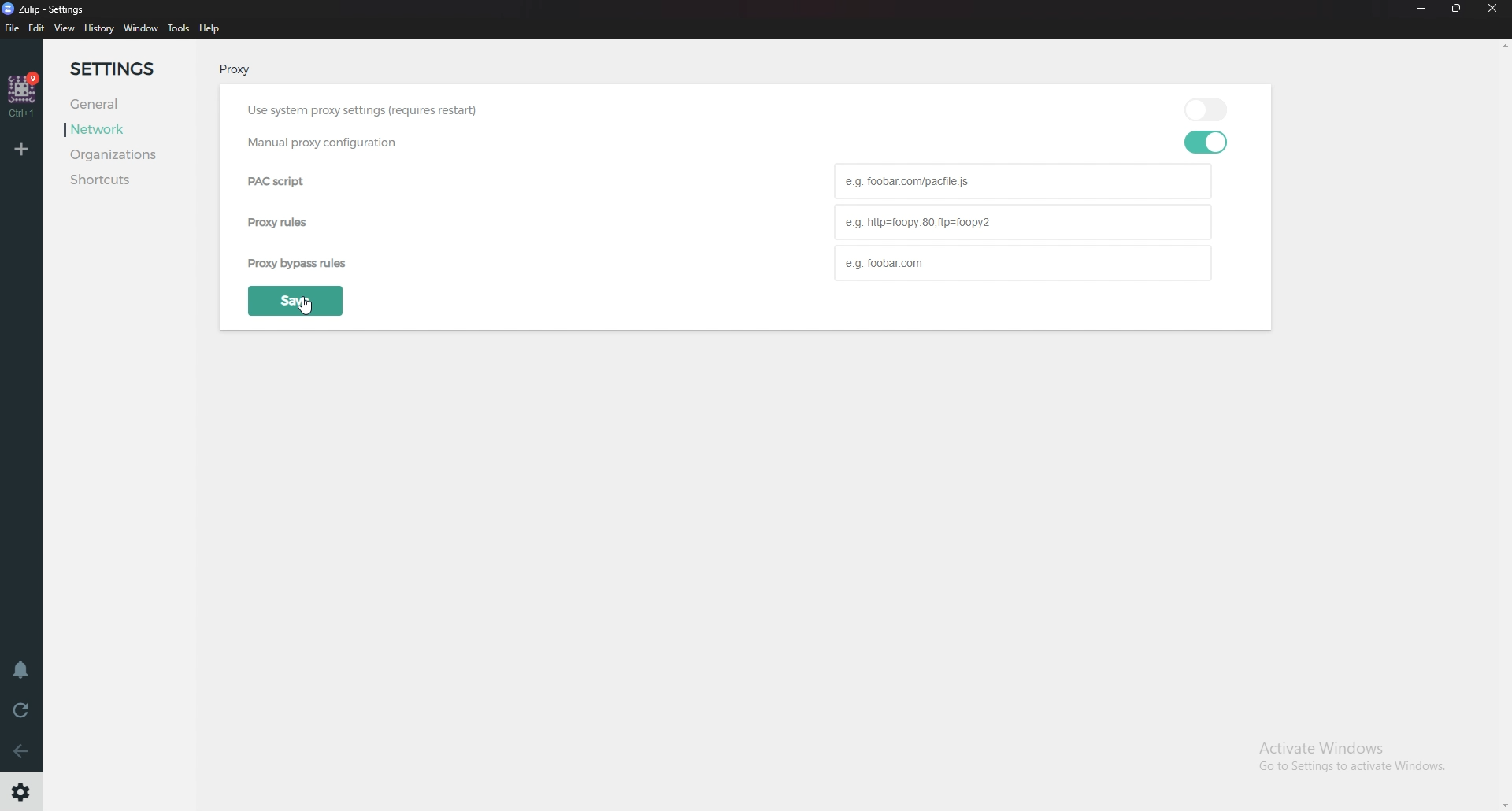 Image resolution: width=1512 pixels, height=811 pixels. Describe the element at coordinates (126, 180) in the screenshot. I see `Shortcuts` at that location.